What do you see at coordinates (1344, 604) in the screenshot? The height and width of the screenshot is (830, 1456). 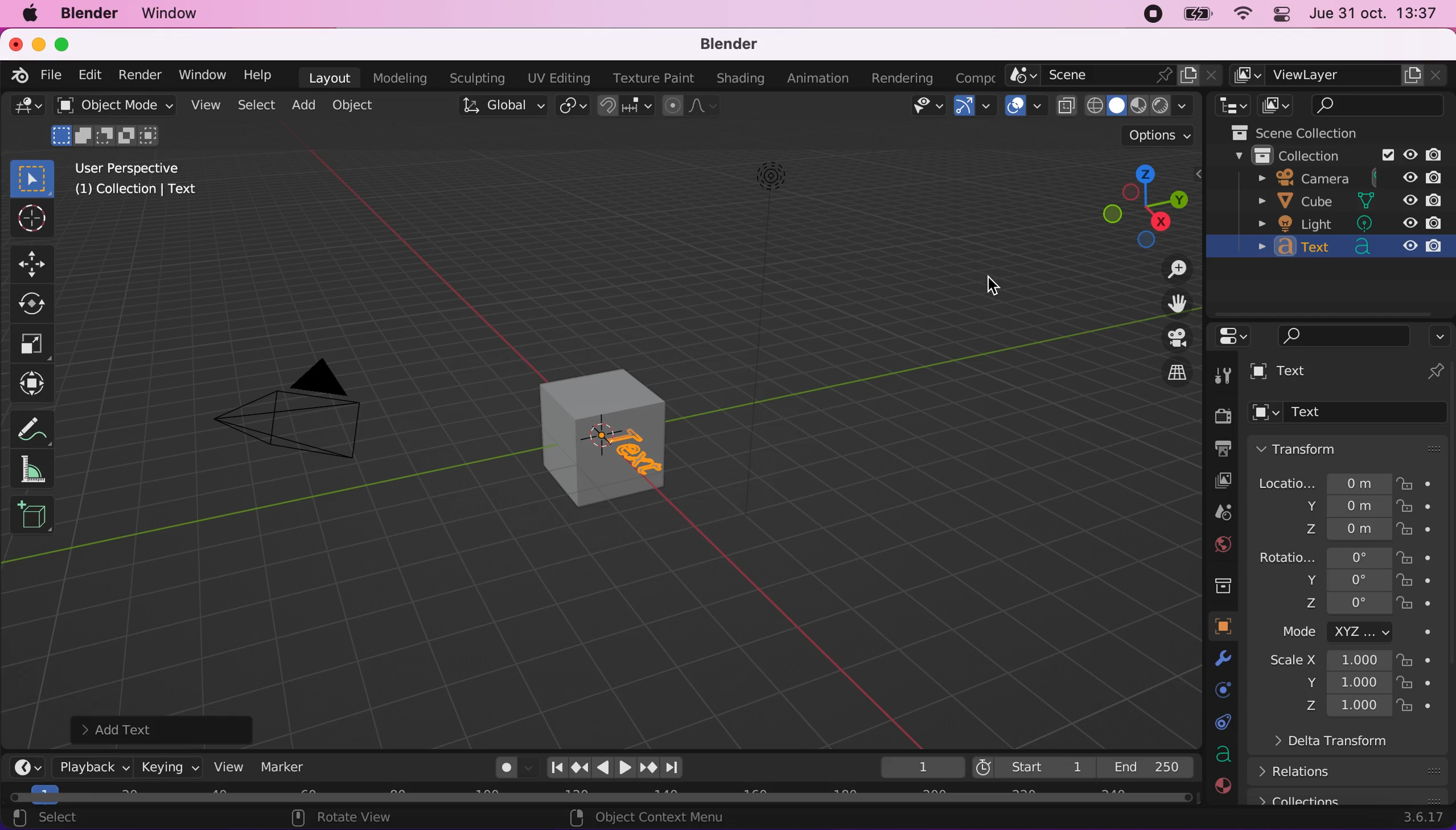 I see `Z 0°` at bounding box center [1344, 604].